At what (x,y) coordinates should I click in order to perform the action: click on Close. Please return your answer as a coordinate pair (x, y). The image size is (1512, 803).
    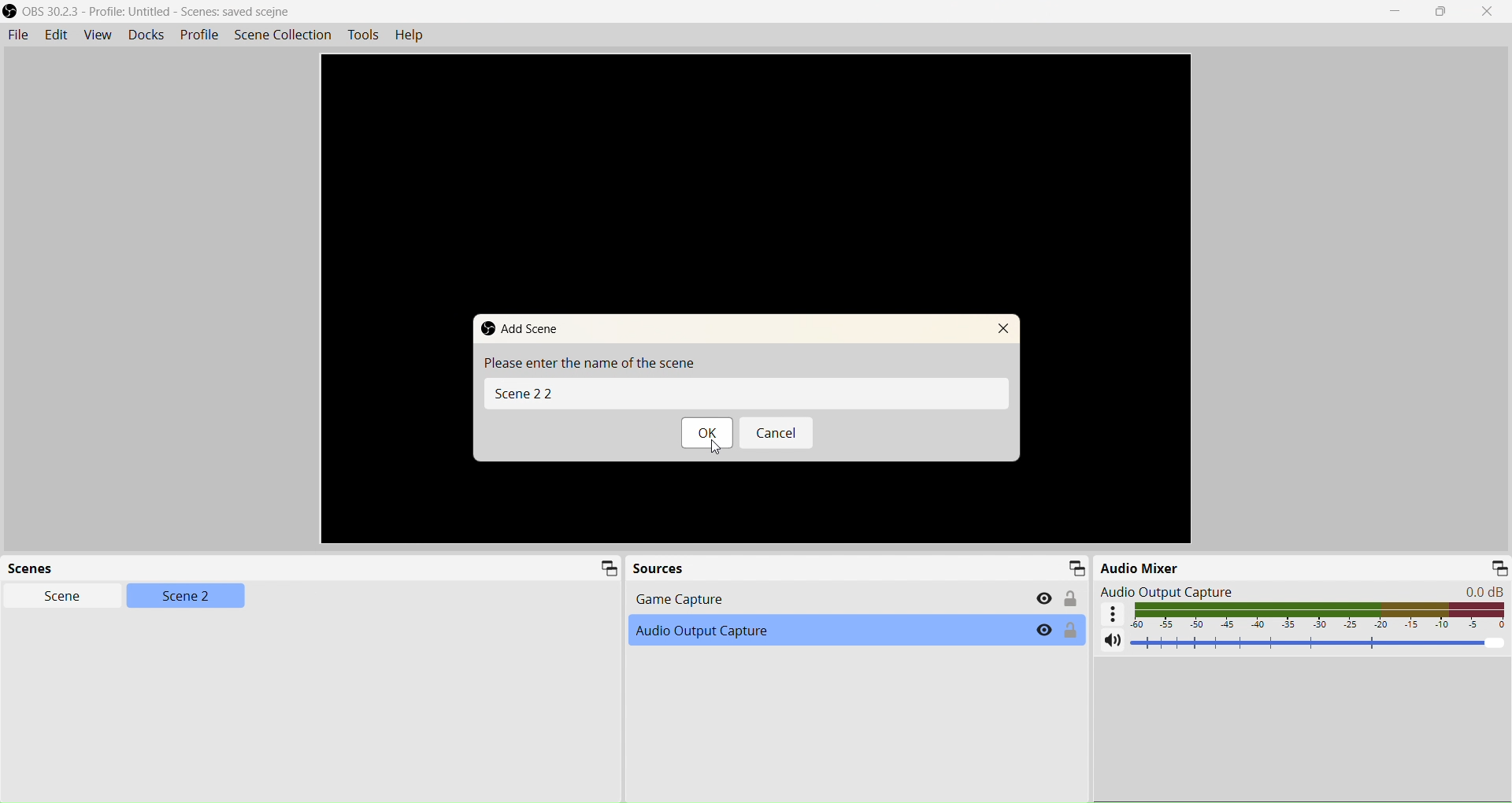
    Looking at the image, I should click on (1488, 12).